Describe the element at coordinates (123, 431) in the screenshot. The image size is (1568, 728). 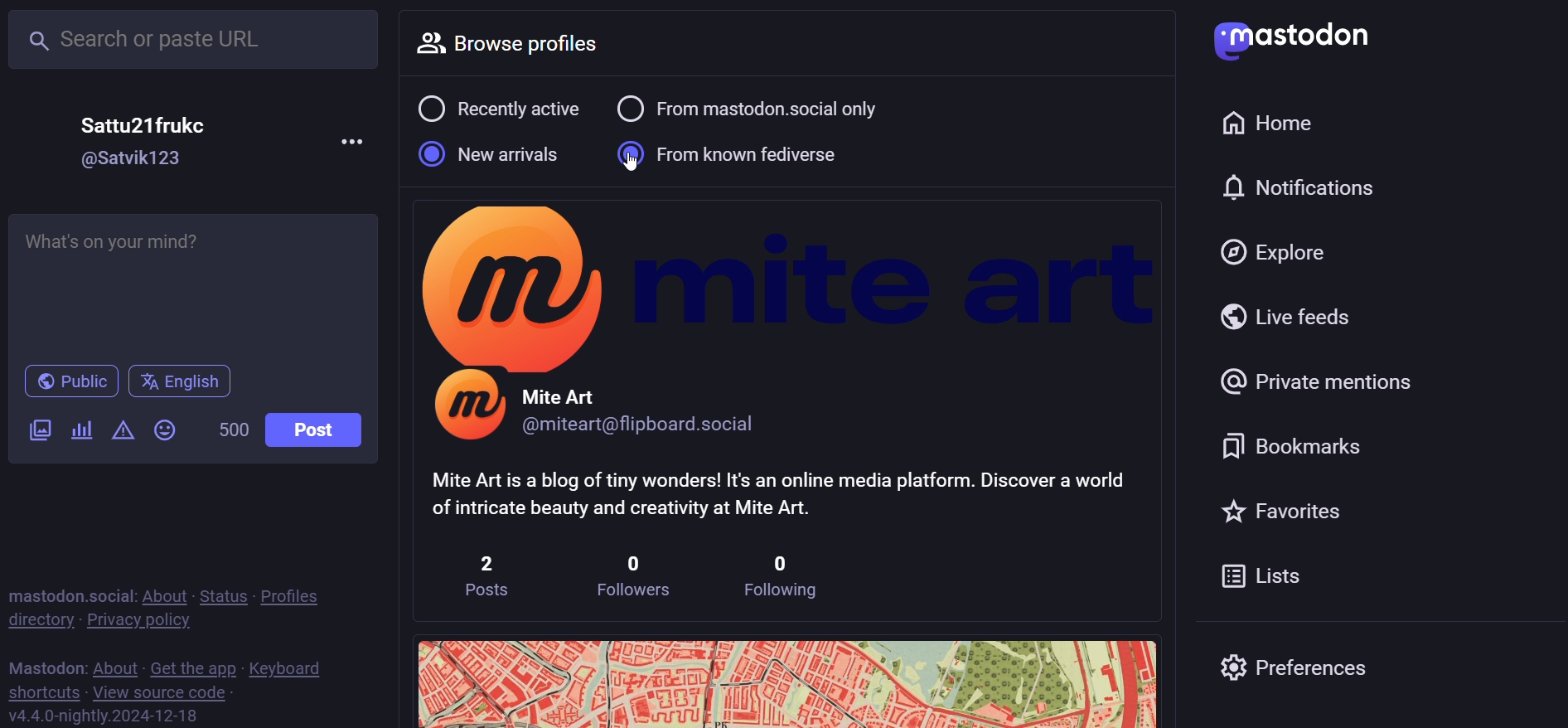
I see `content warning` at that location.